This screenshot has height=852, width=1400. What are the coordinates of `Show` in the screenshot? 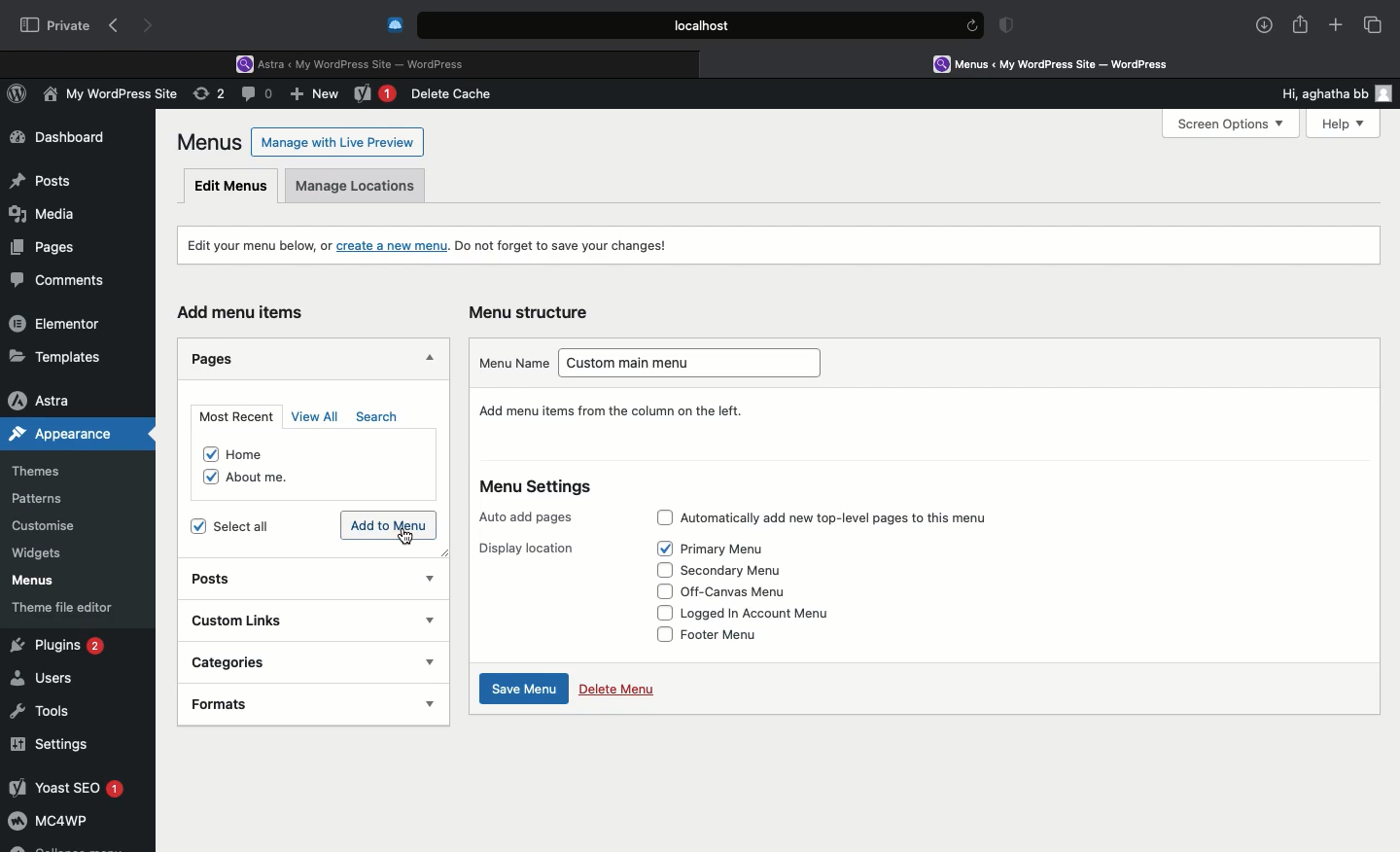 It's located at (430, 575).